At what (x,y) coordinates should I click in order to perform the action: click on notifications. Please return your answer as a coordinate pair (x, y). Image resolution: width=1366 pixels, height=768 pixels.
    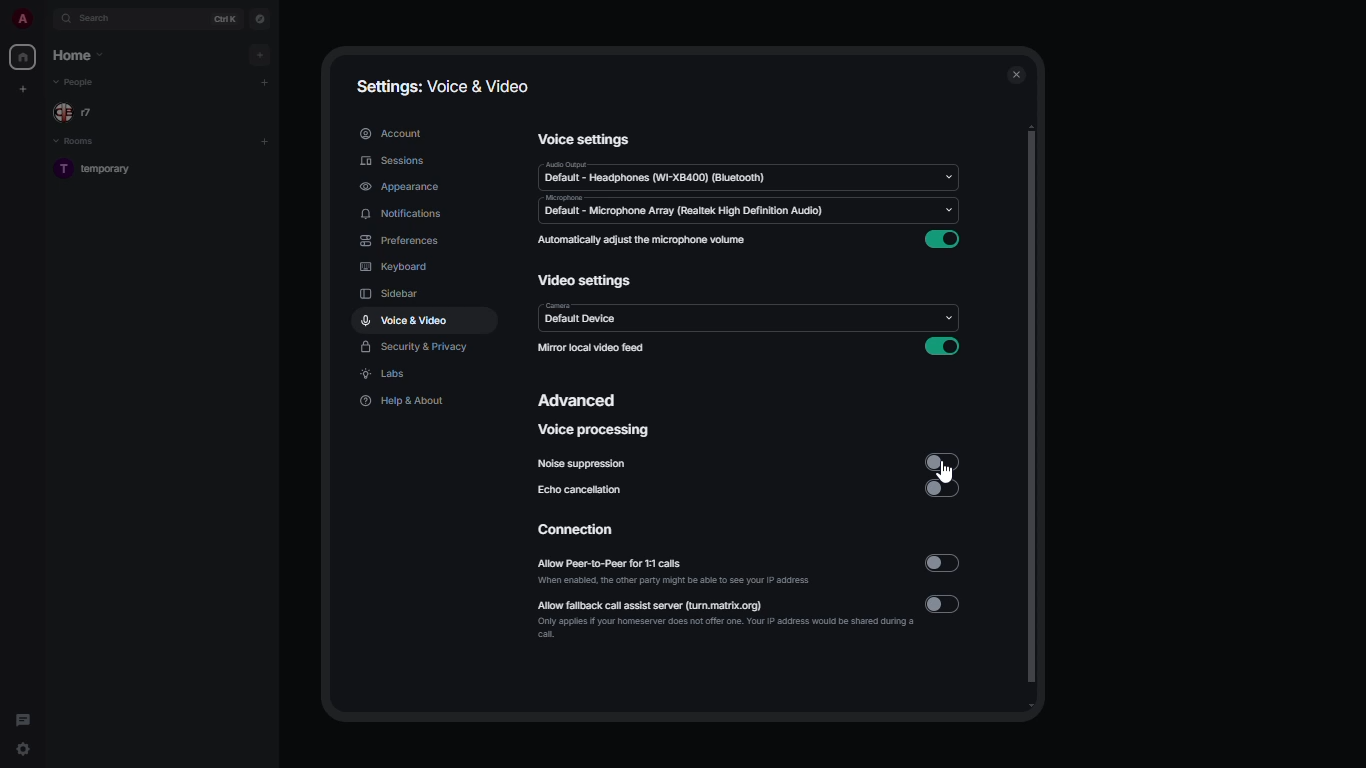
    Looking at the image, I should click on (403, 214).